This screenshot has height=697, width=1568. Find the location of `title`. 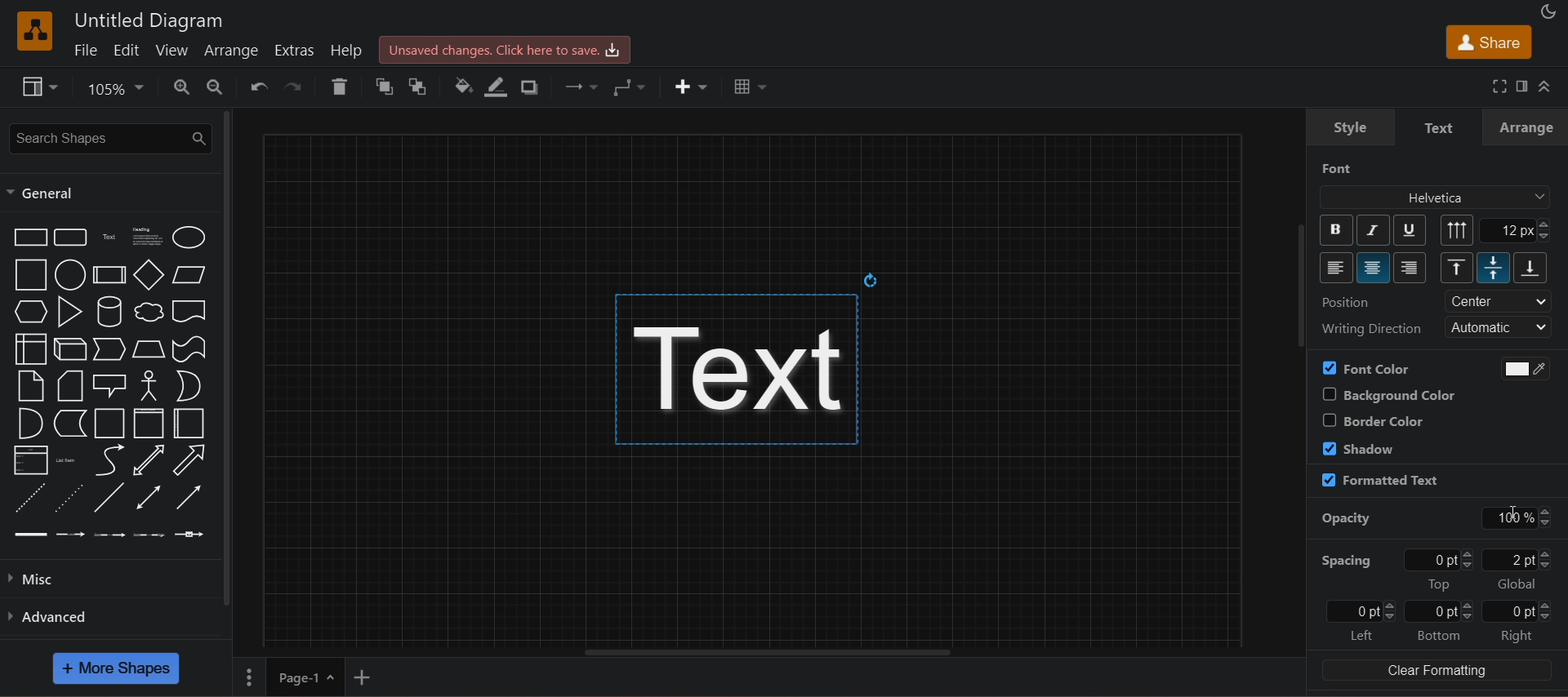

title is located at coordinates (149, 20).